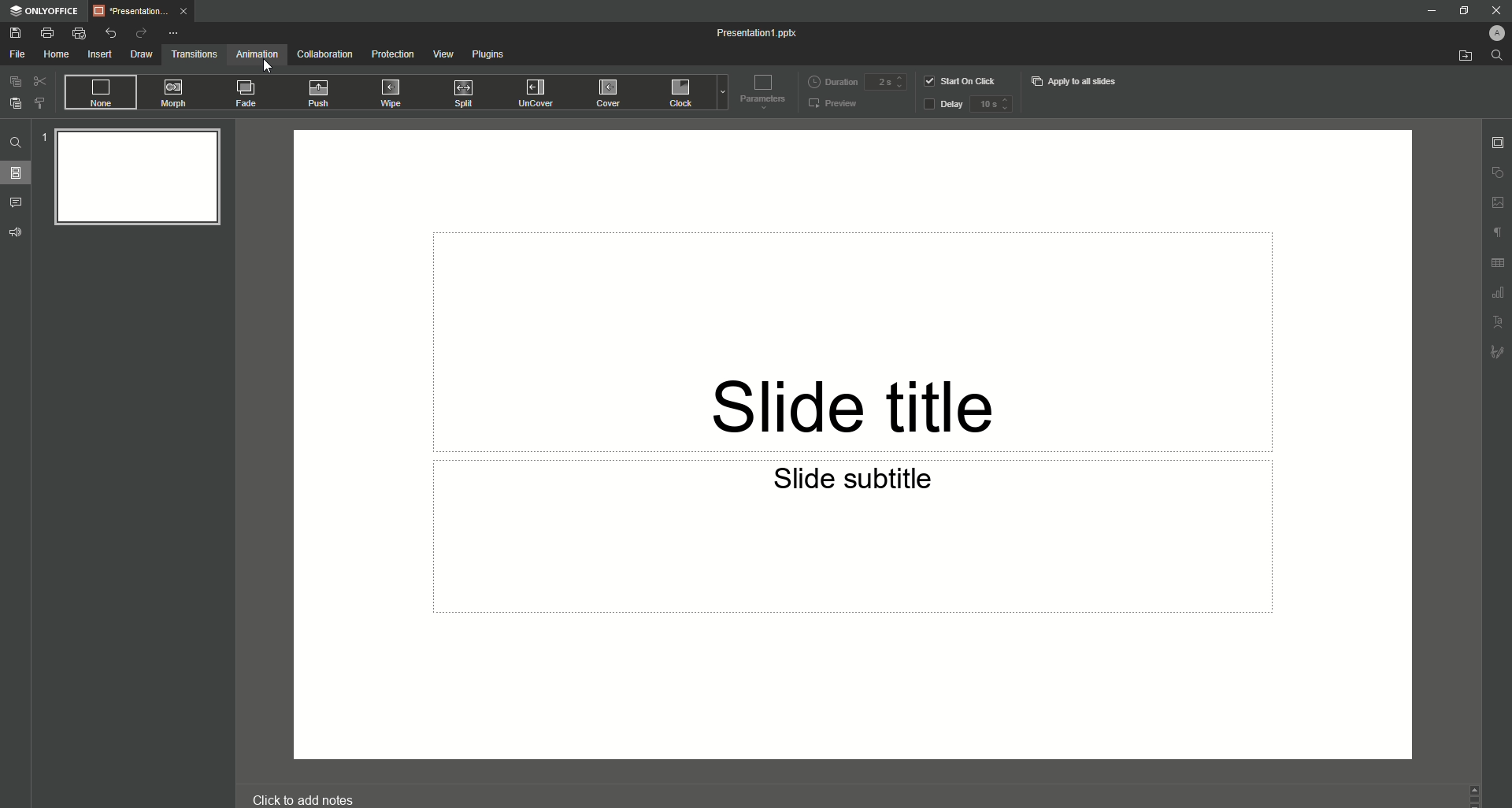  Describe the element at coordinates (47, 32) in the screenshot. I see `Print` at that location.